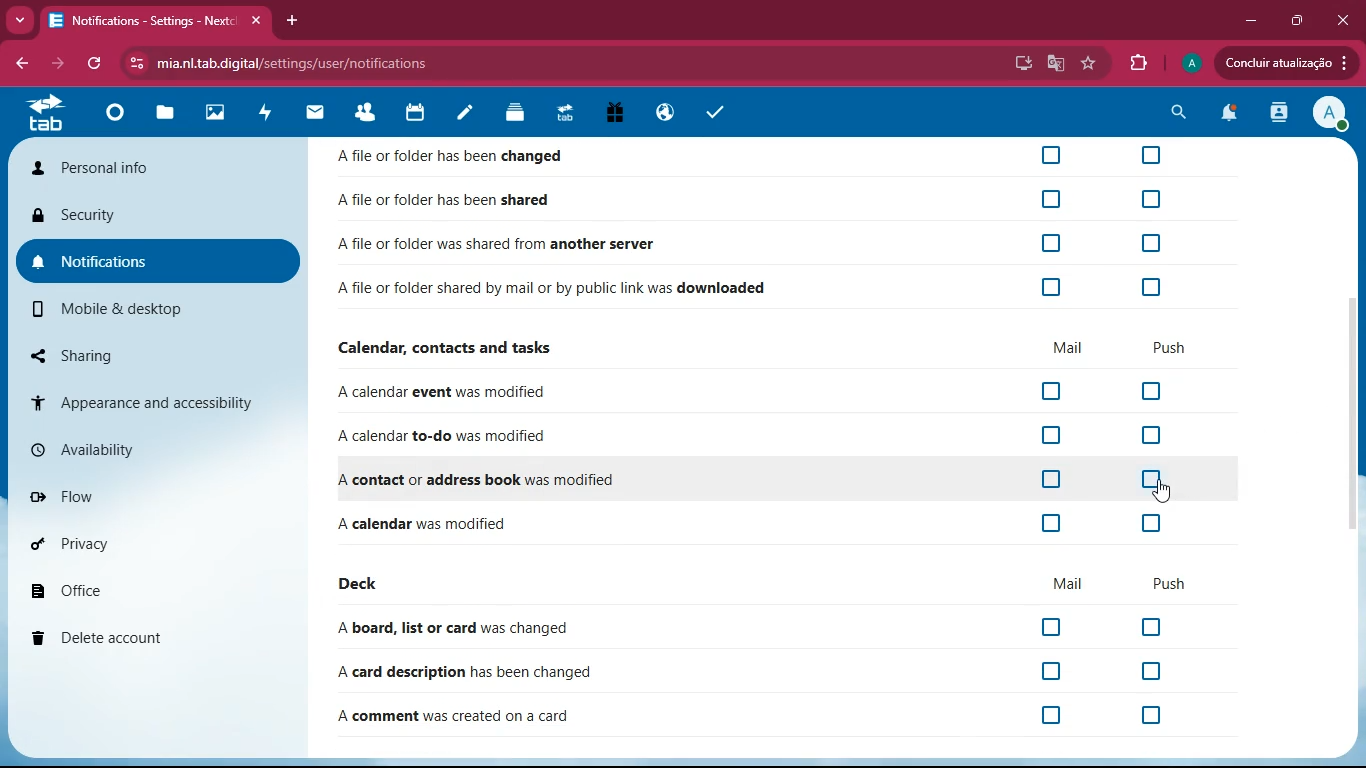 The width and height of the screenshot is (1366, 768). Describe the element at coordinates (1156, 628) in the screenshot. I see `off` at that location.